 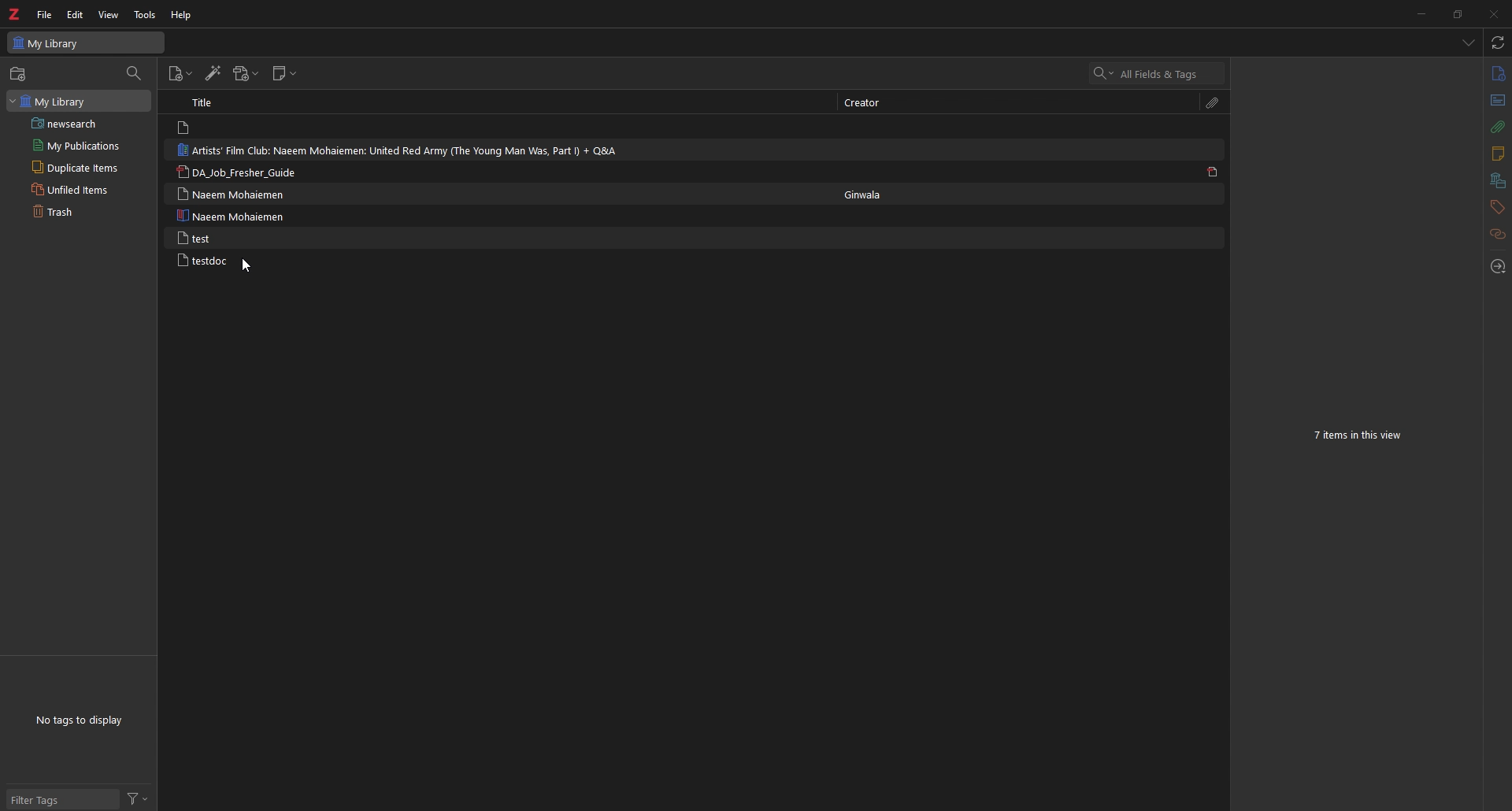 What do you see at coordinates (1418, 14) in the screenshot?
I see `minimize` at bounding box center [1418, 14].